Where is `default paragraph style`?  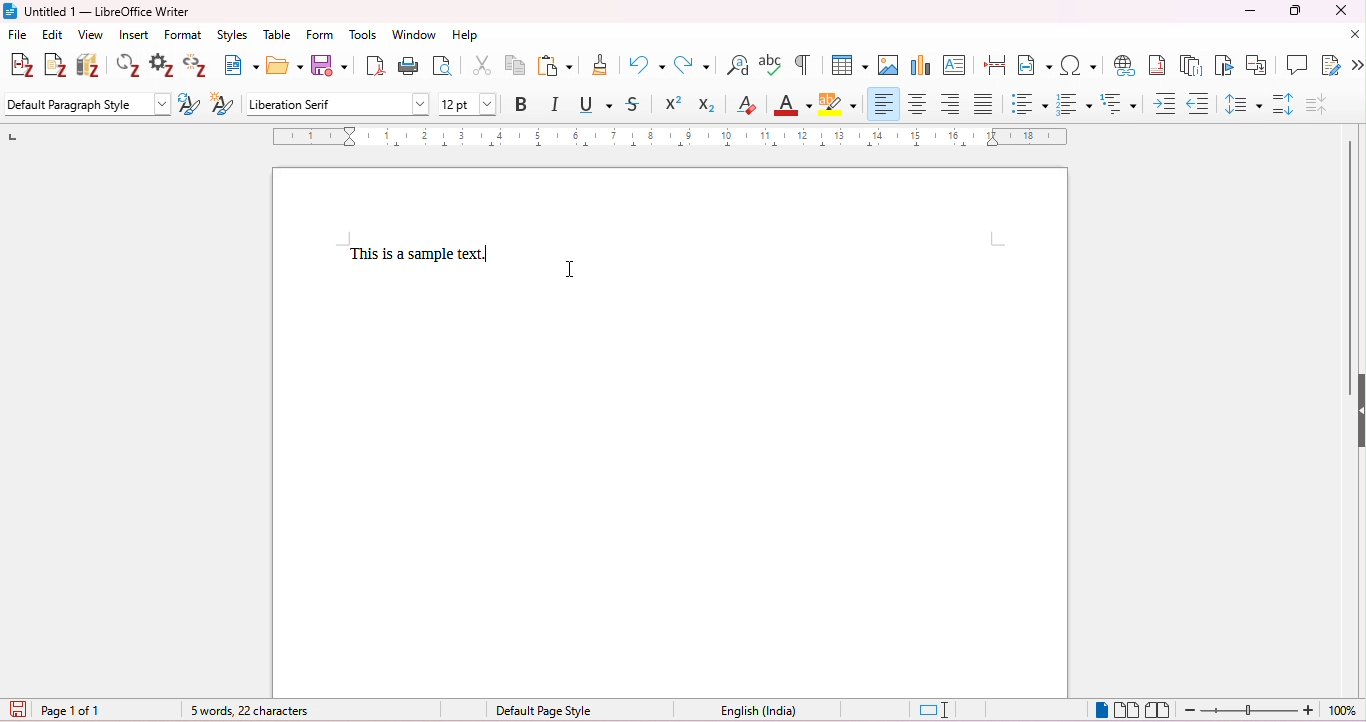 default paragraph style is located at coordinates (90, 104).